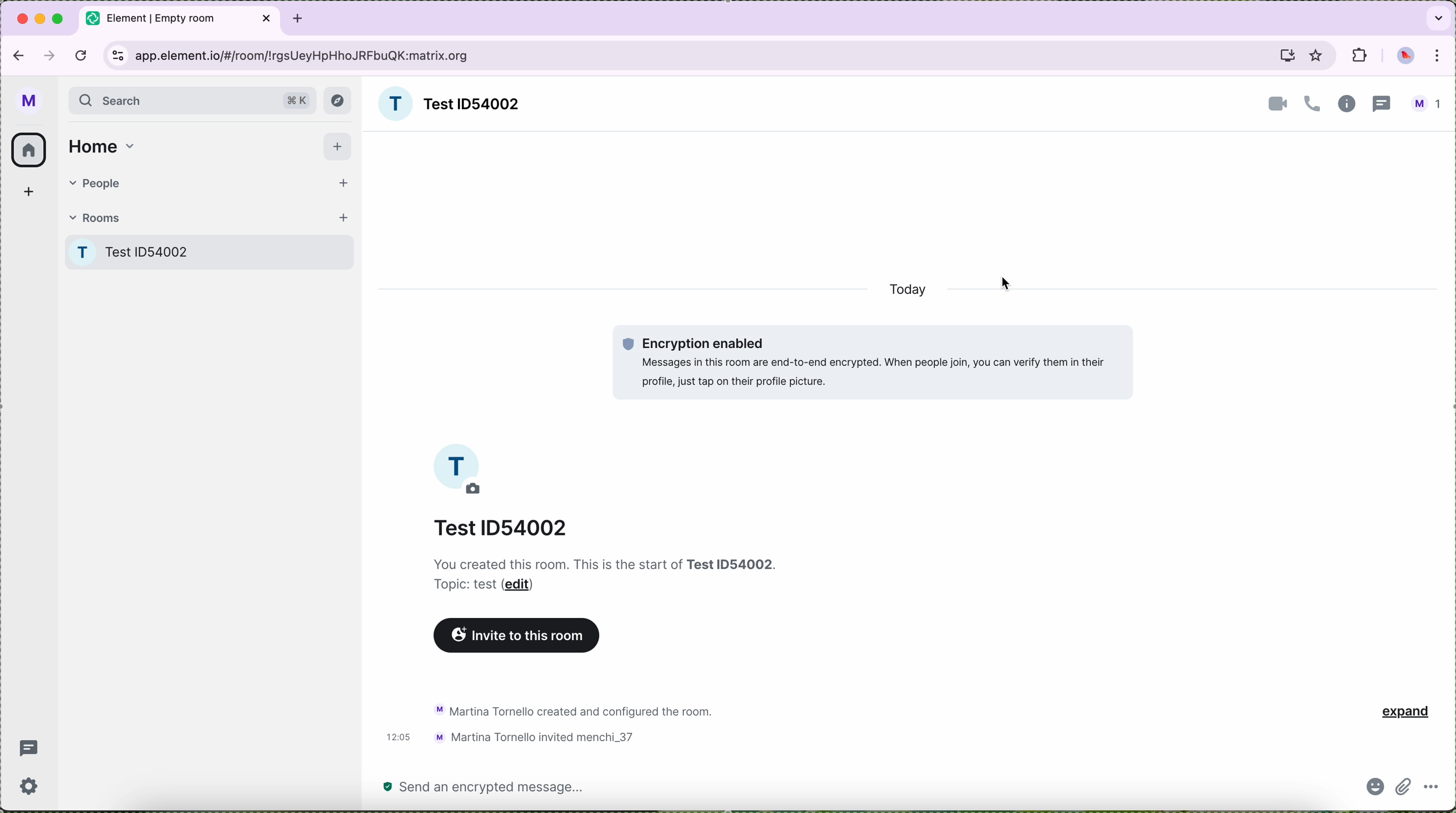  What do you see at coordinates (512, 528) in the screenshot?
I see `Test ID 54002` at bounding box center [512, 528].